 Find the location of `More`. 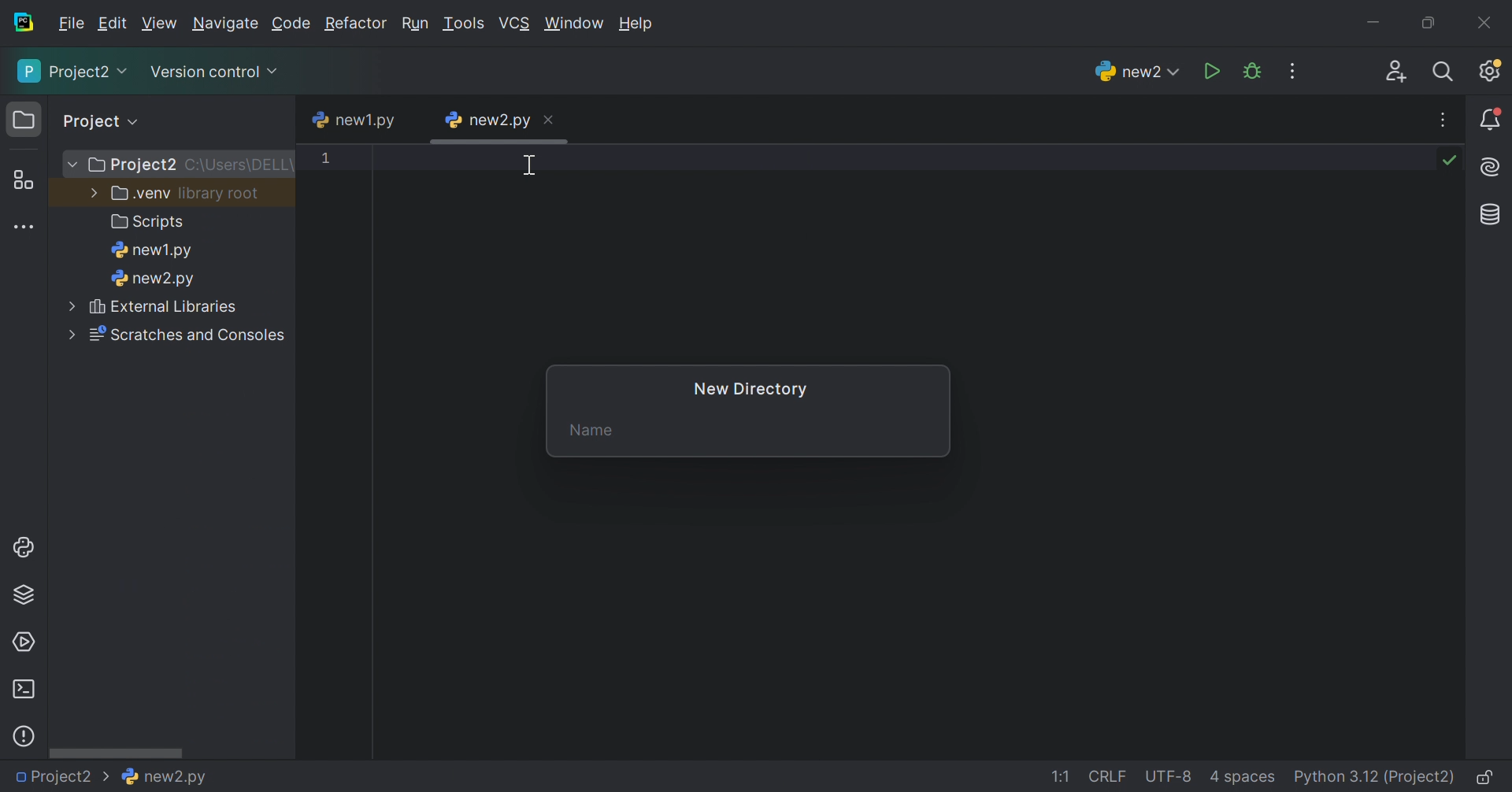

More is located at coordinates (70, 162).